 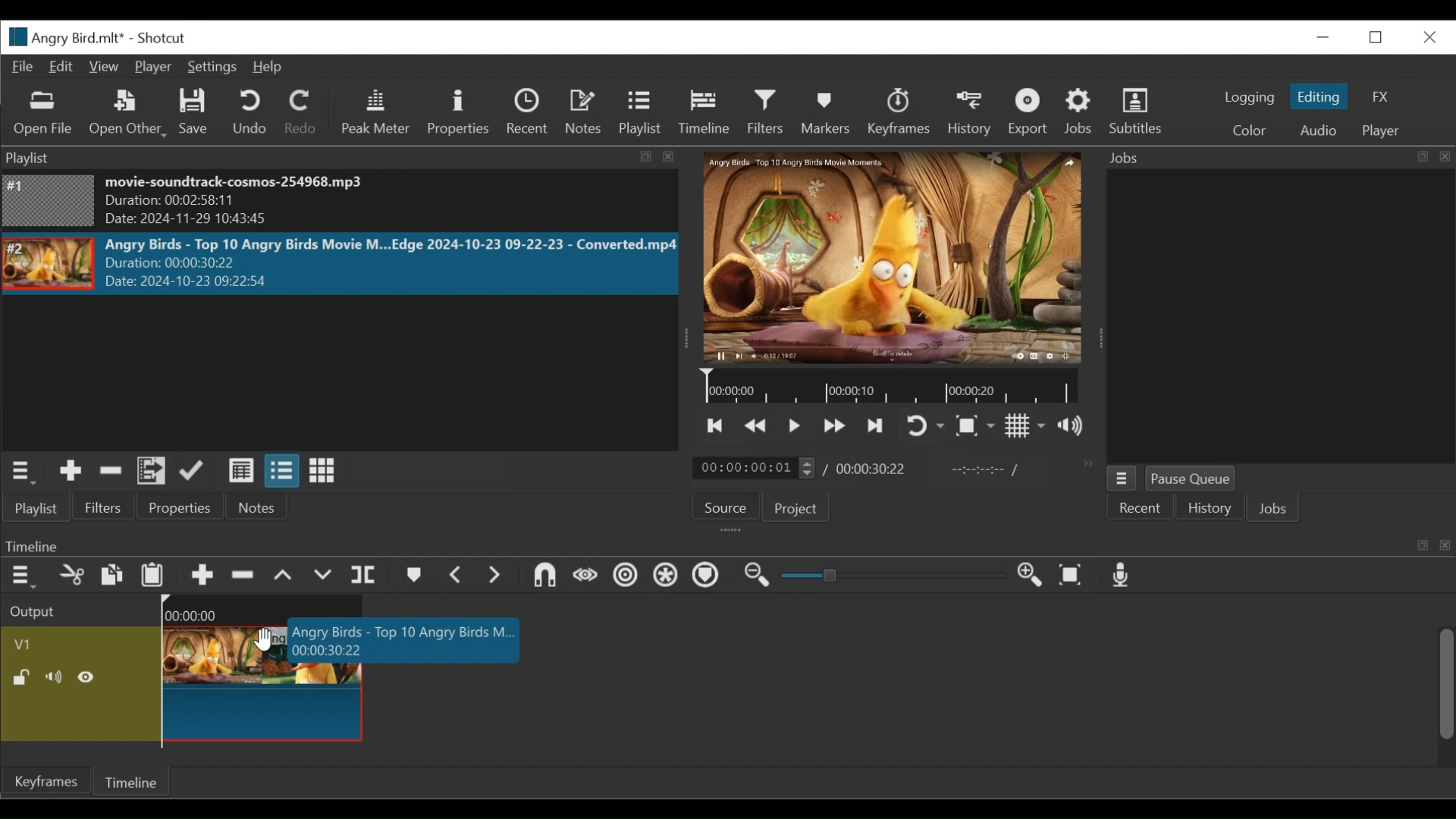 What do you see at coordinates (135, 781) in the screenshot?
I see `Timeline` at bounding box center [135, 781].